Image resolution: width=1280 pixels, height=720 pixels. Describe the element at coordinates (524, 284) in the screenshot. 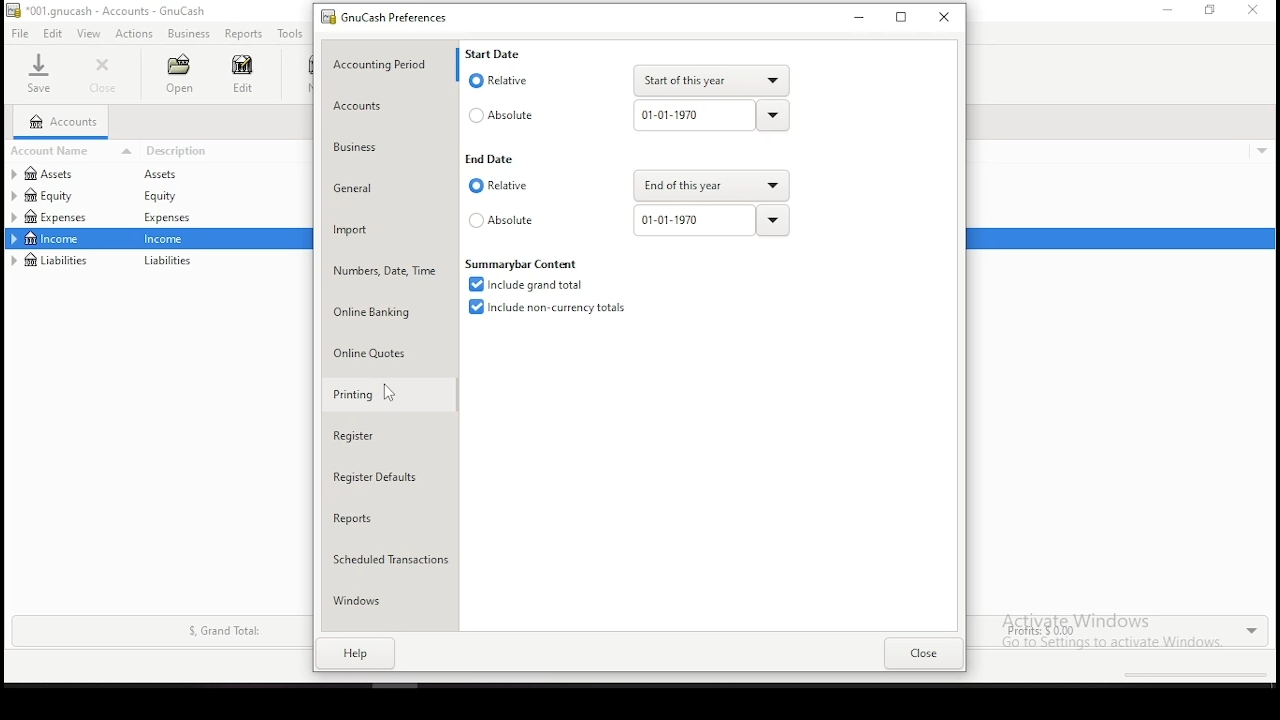

I see `checkbox: include grand total` at that location.